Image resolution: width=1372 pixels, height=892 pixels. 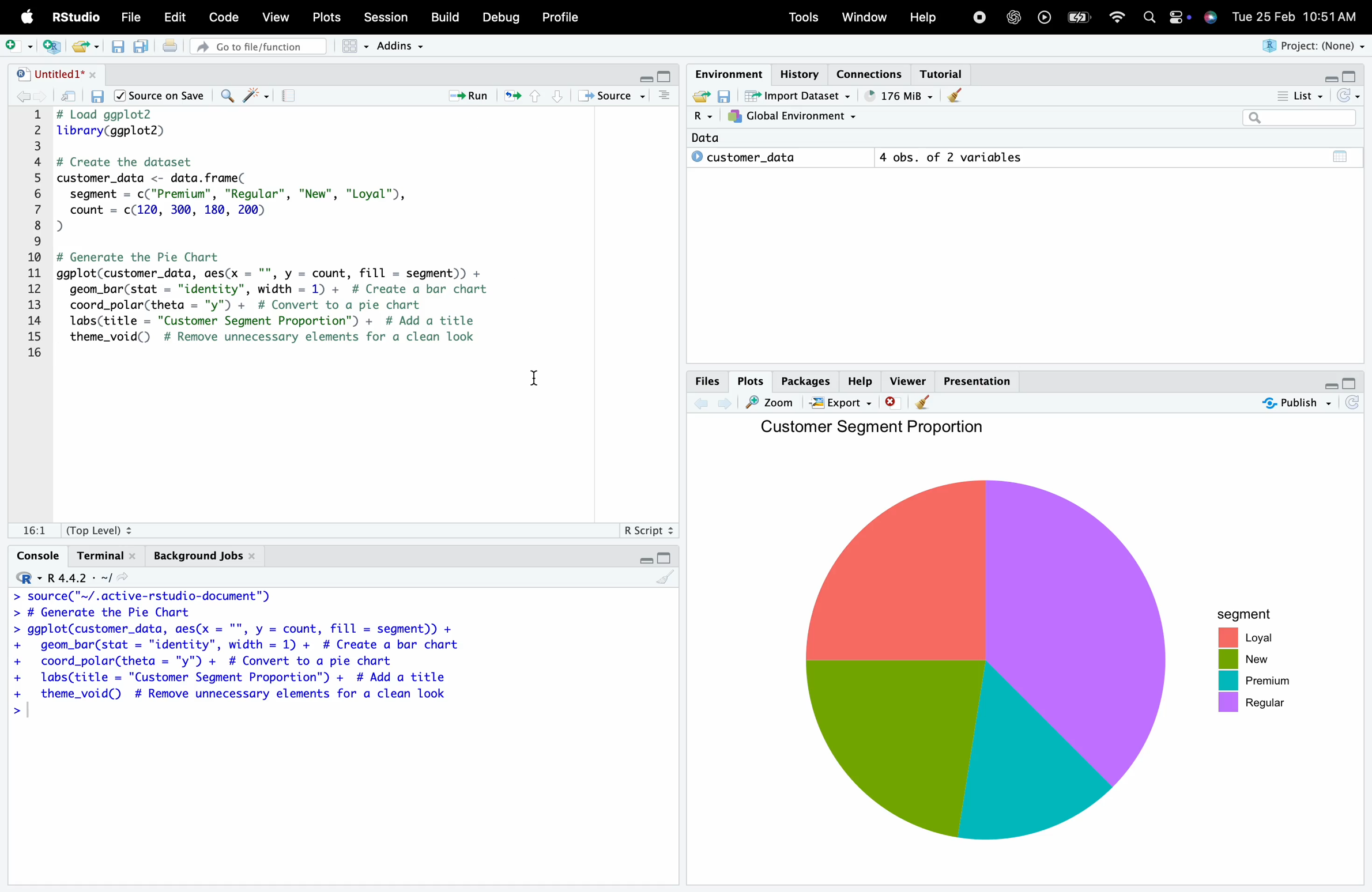 What do you see at coordinates (555, 96) in the screenshot?
I see `bottom` at bounding box center [555, 96].